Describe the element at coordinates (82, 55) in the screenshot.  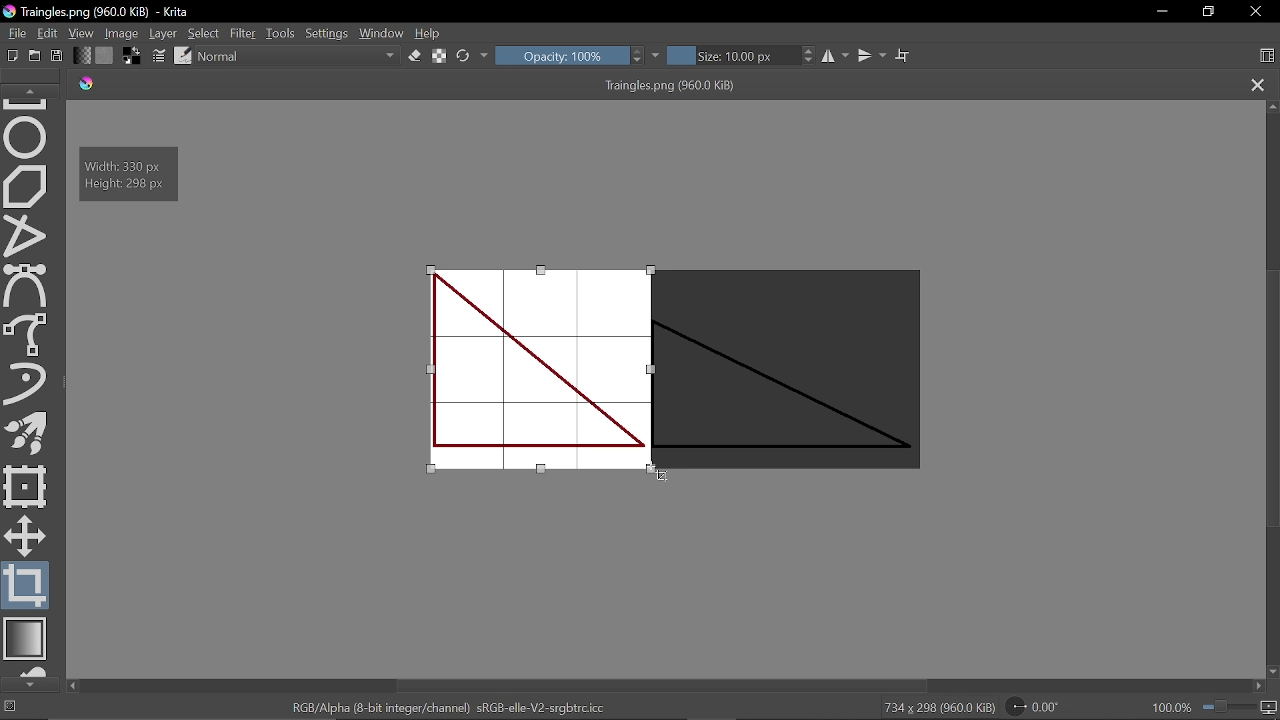
I see `Fill gradient` at that location.